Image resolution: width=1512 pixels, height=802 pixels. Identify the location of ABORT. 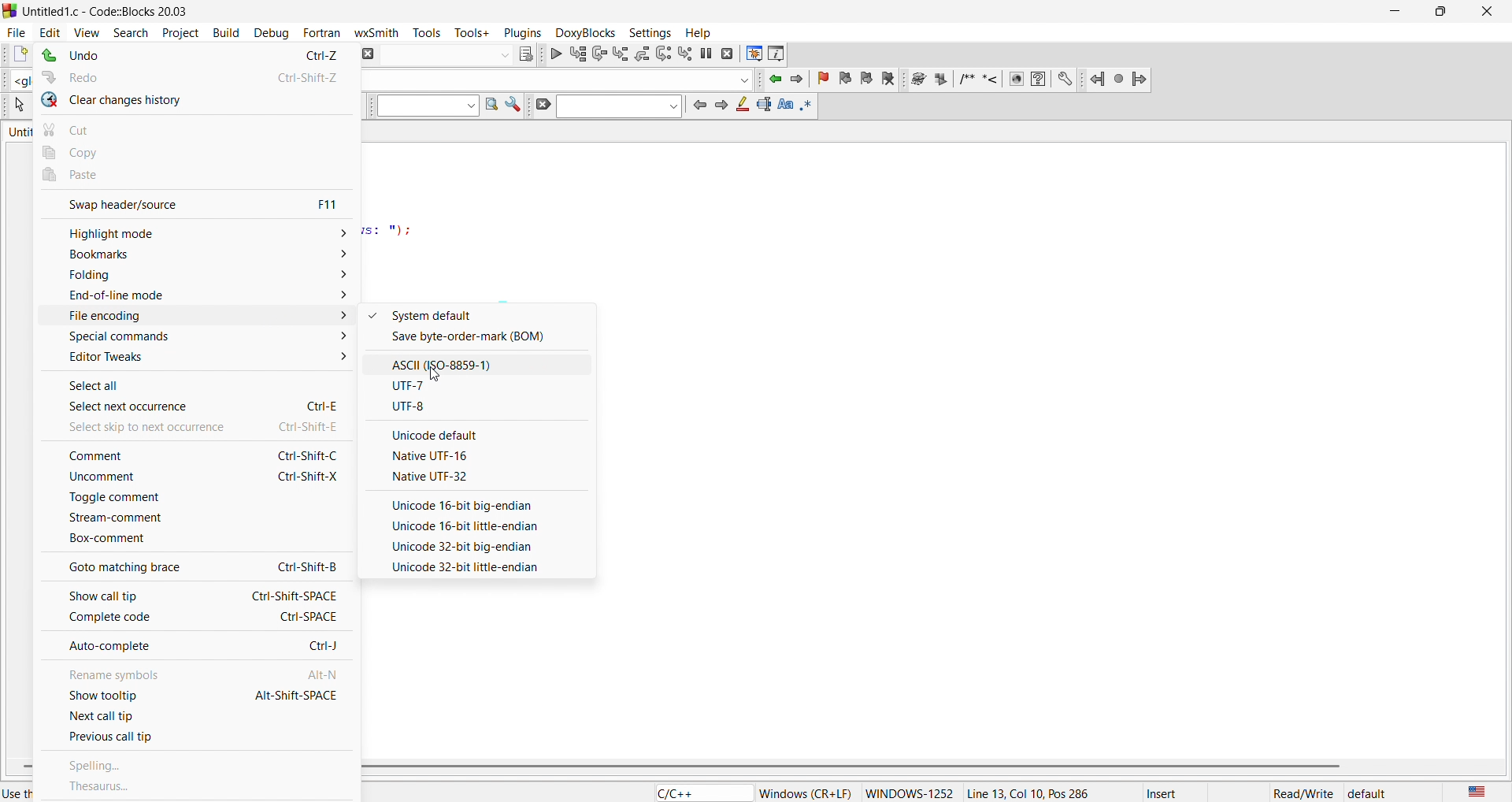
(370, 55).